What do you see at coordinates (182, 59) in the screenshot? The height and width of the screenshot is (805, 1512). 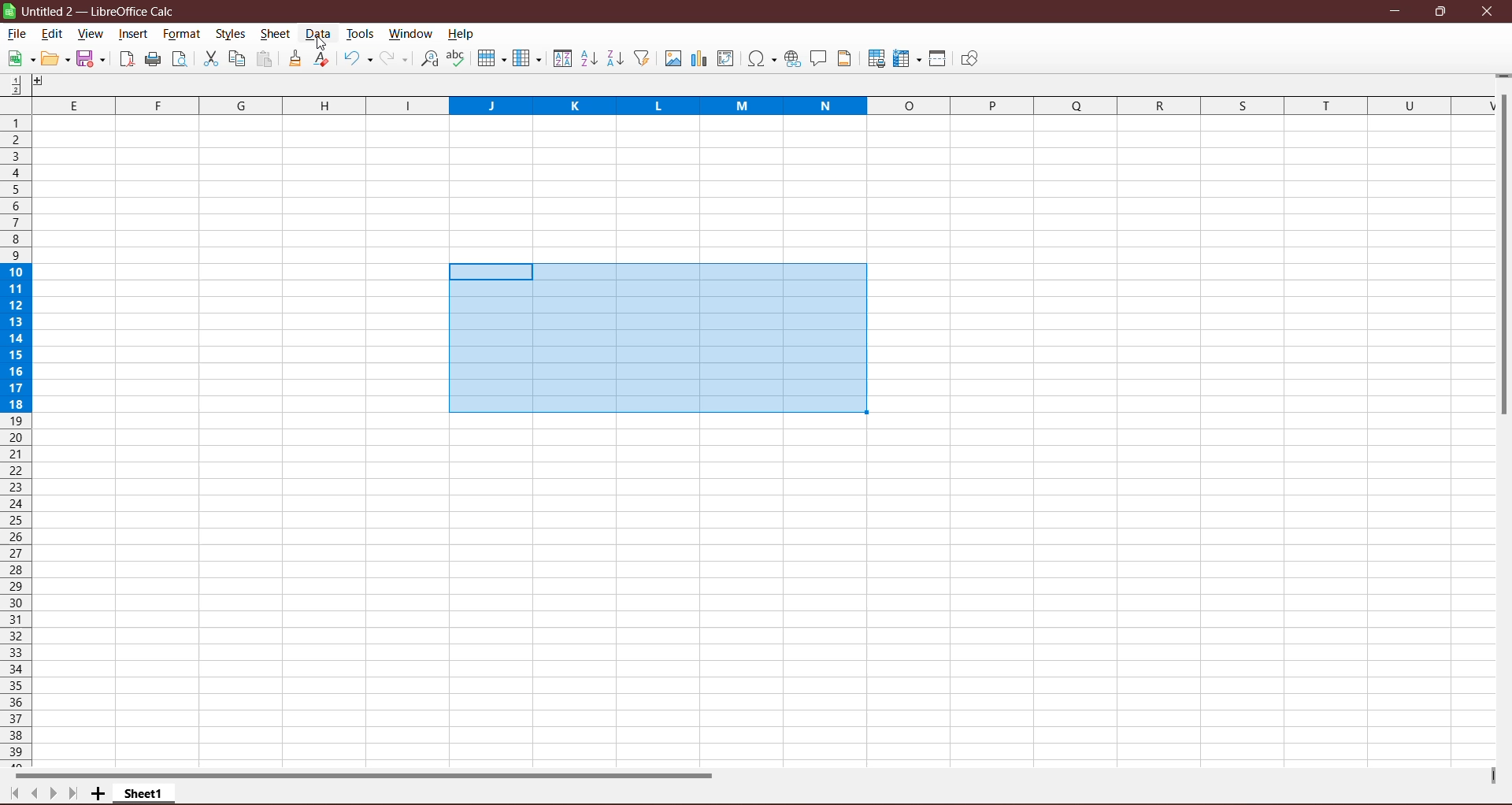 I see `Toggle Print Preview` at bounding box center [182, 59].